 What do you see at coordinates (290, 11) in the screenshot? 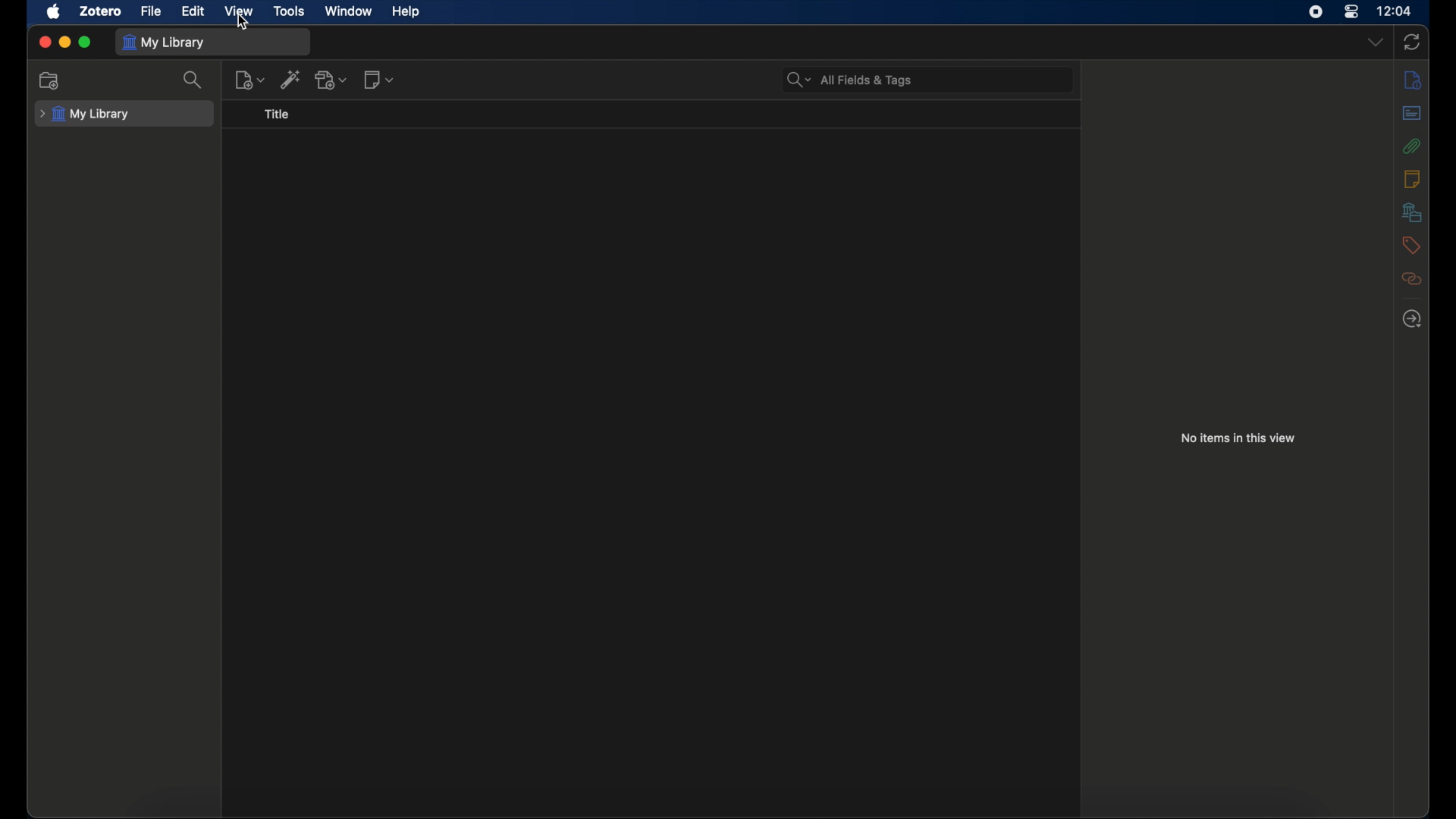
I see `tools` at bounding box center [290, 11].